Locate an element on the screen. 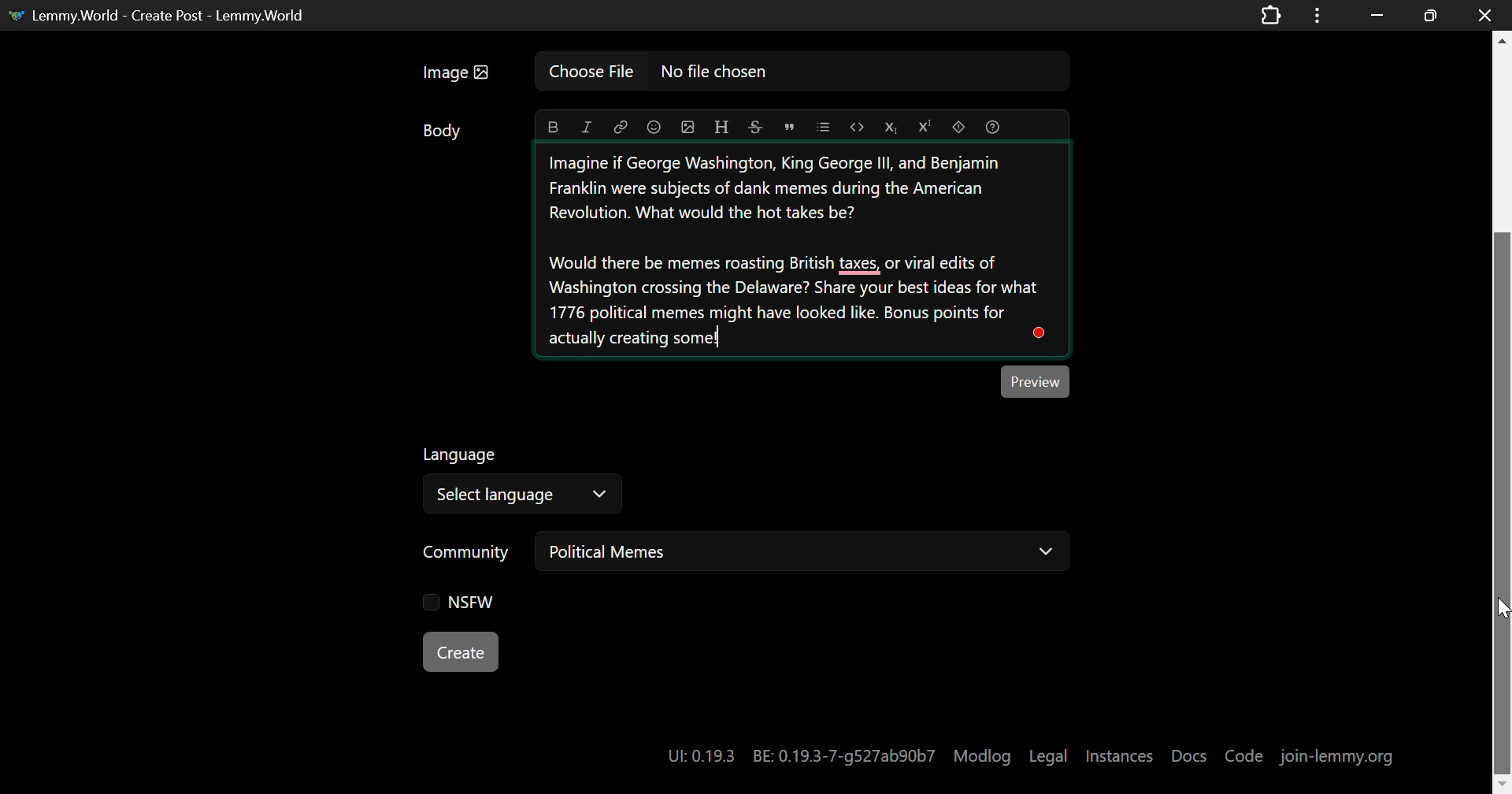 The width and height of the screenshot is (1512, 794). Instances is located at coordinates (1121, 756).